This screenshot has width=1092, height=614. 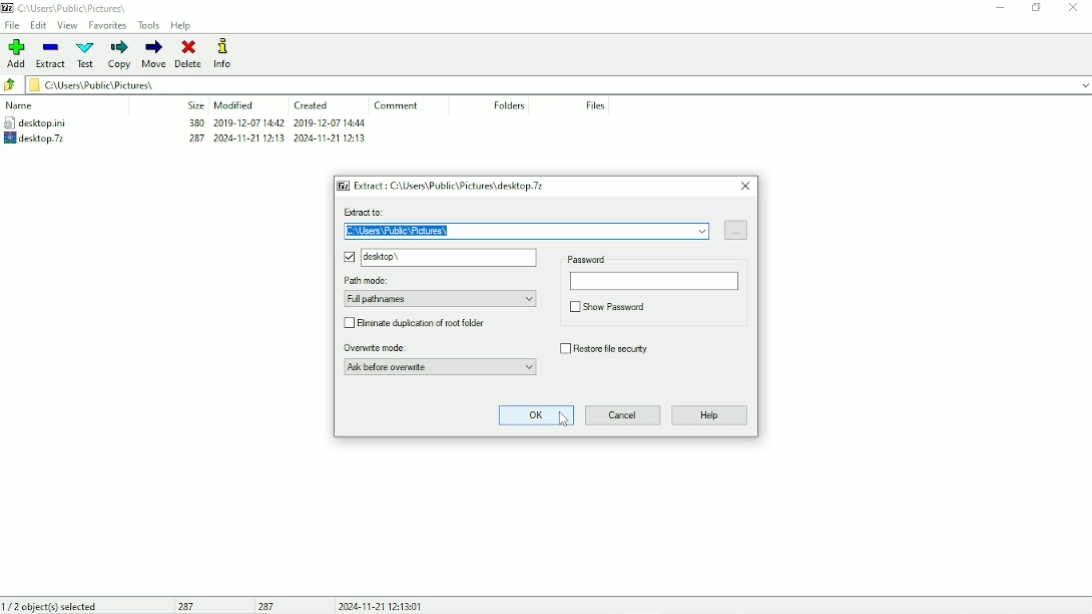 I want to click on checkbox, so click(x=350, y=323).